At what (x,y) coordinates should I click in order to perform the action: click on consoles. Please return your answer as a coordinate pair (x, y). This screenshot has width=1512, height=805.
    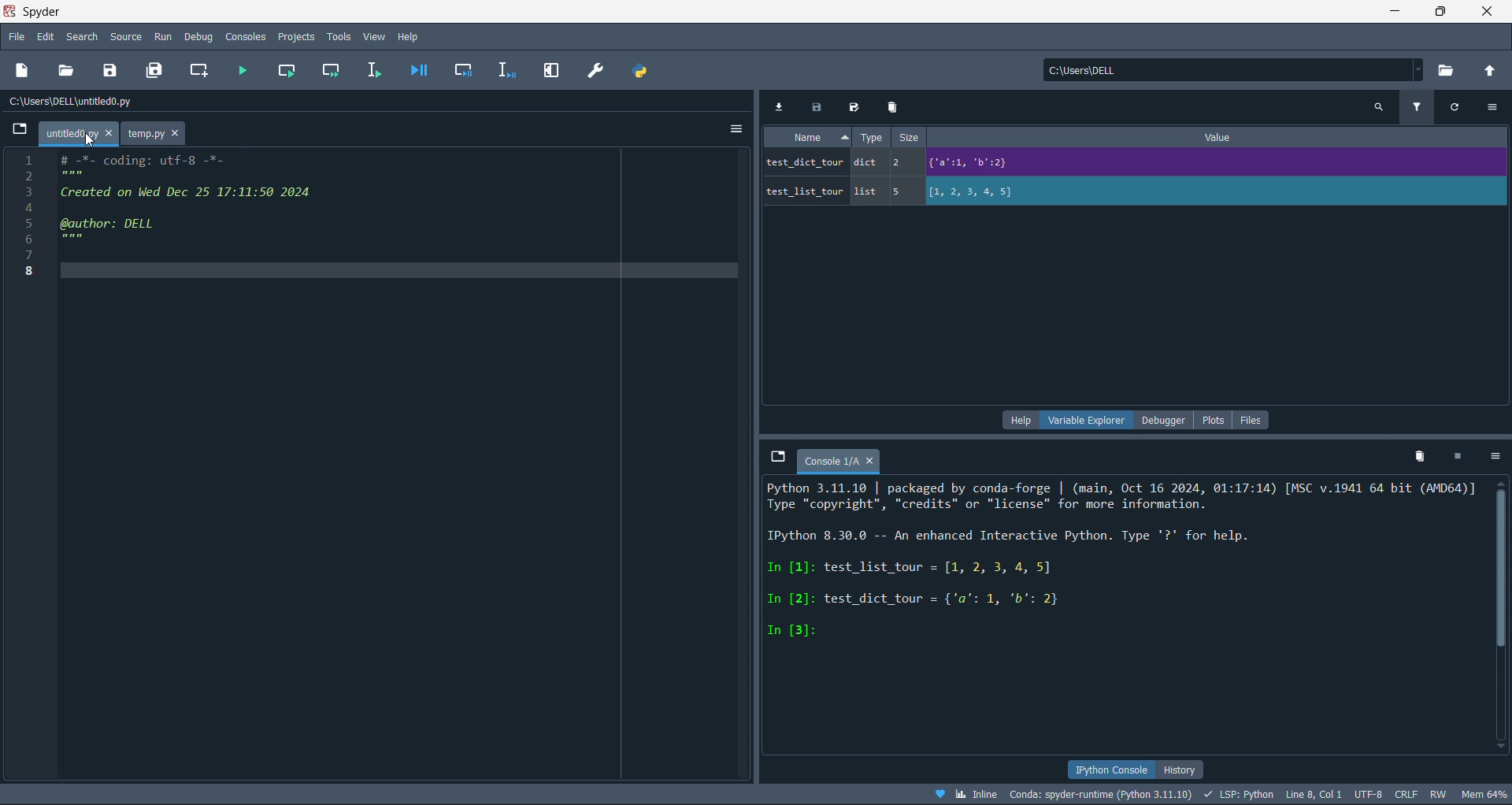
    Looking at the image, I should click on (243, 36).